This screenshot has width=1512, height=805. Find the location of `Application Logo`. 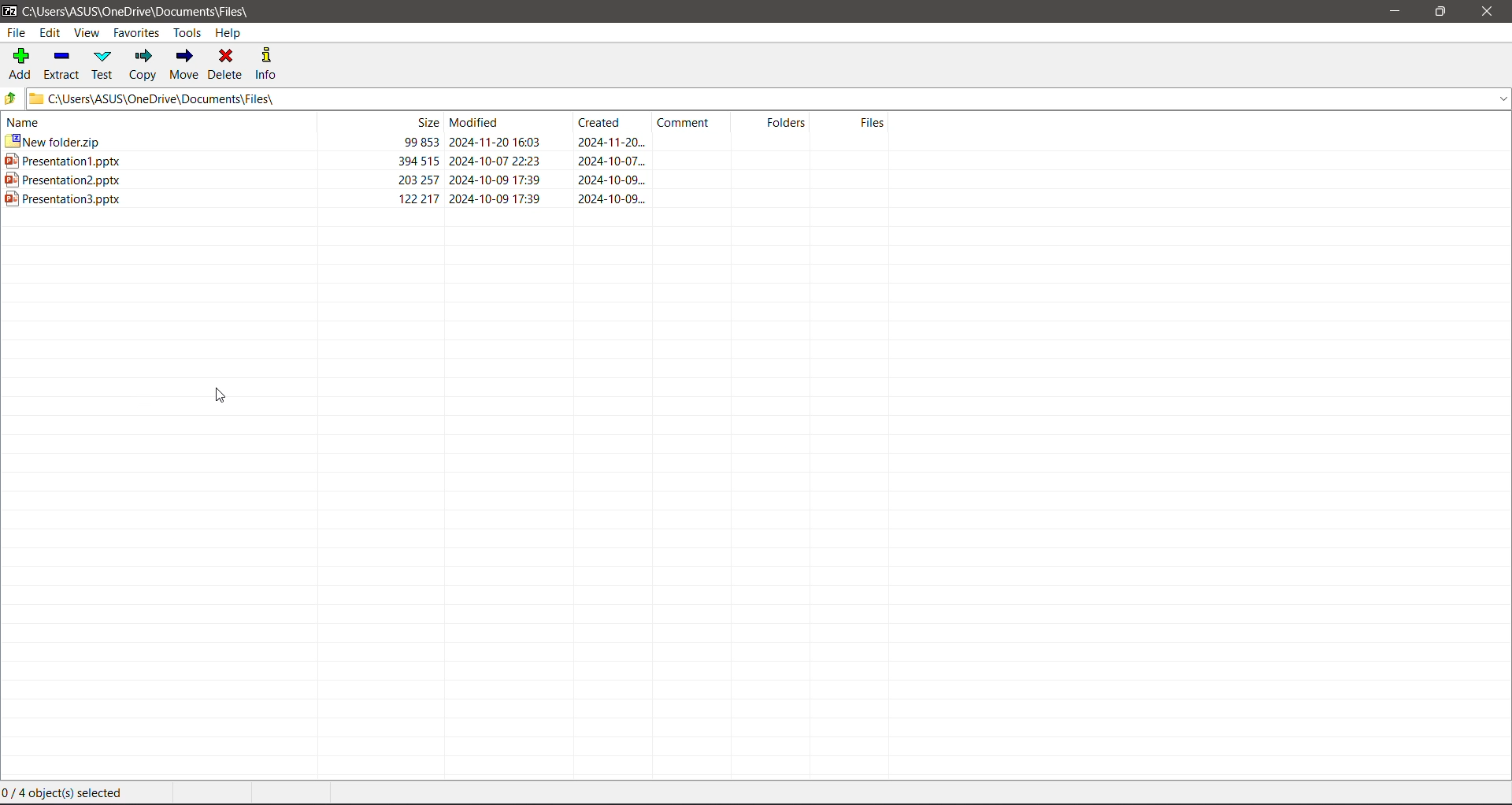

Application Logo is located at coordinates (9, 10).